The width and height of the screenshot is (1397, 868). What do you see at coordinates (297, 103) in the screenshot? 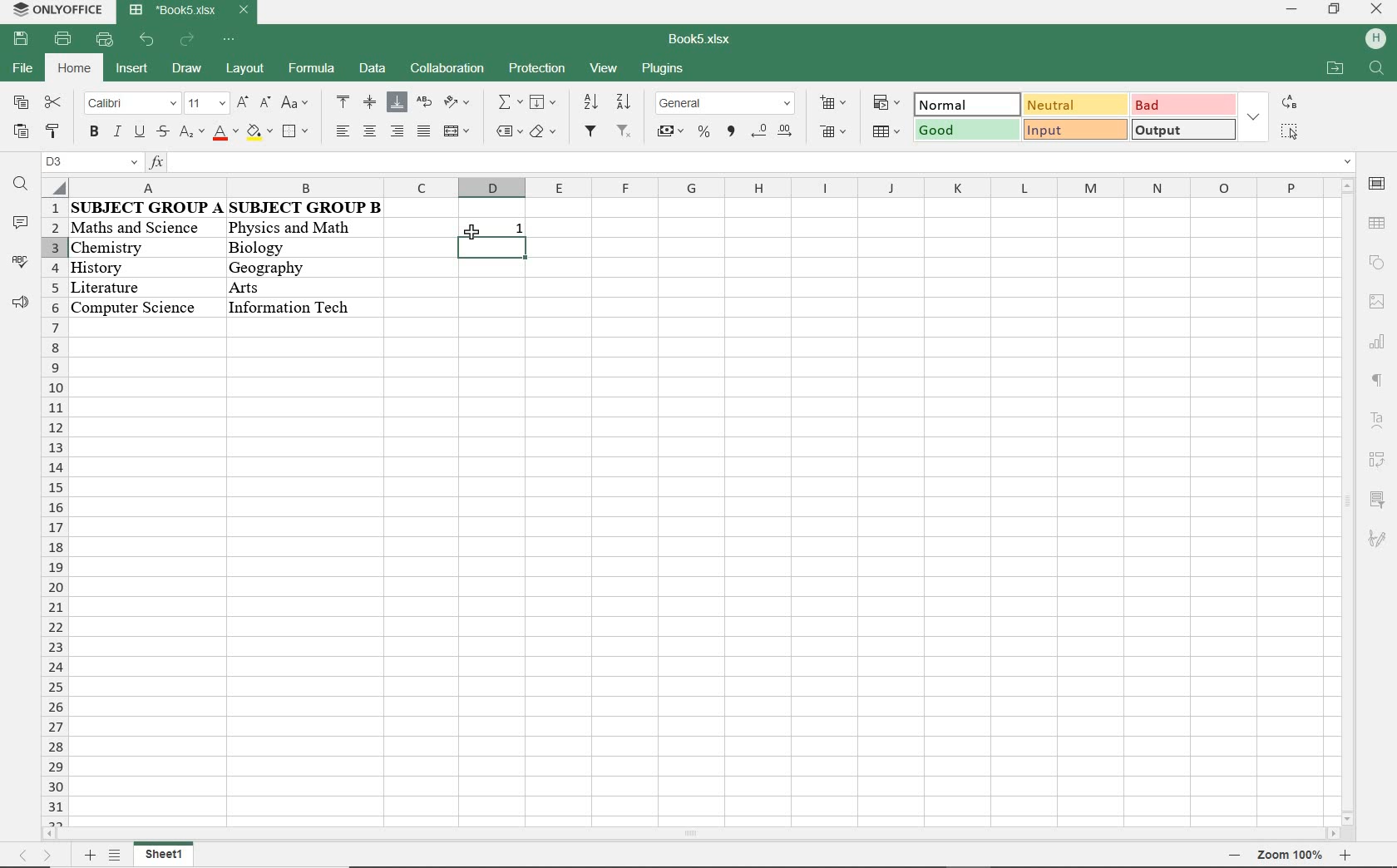
I see `change case` at bounding box center [297, 103].